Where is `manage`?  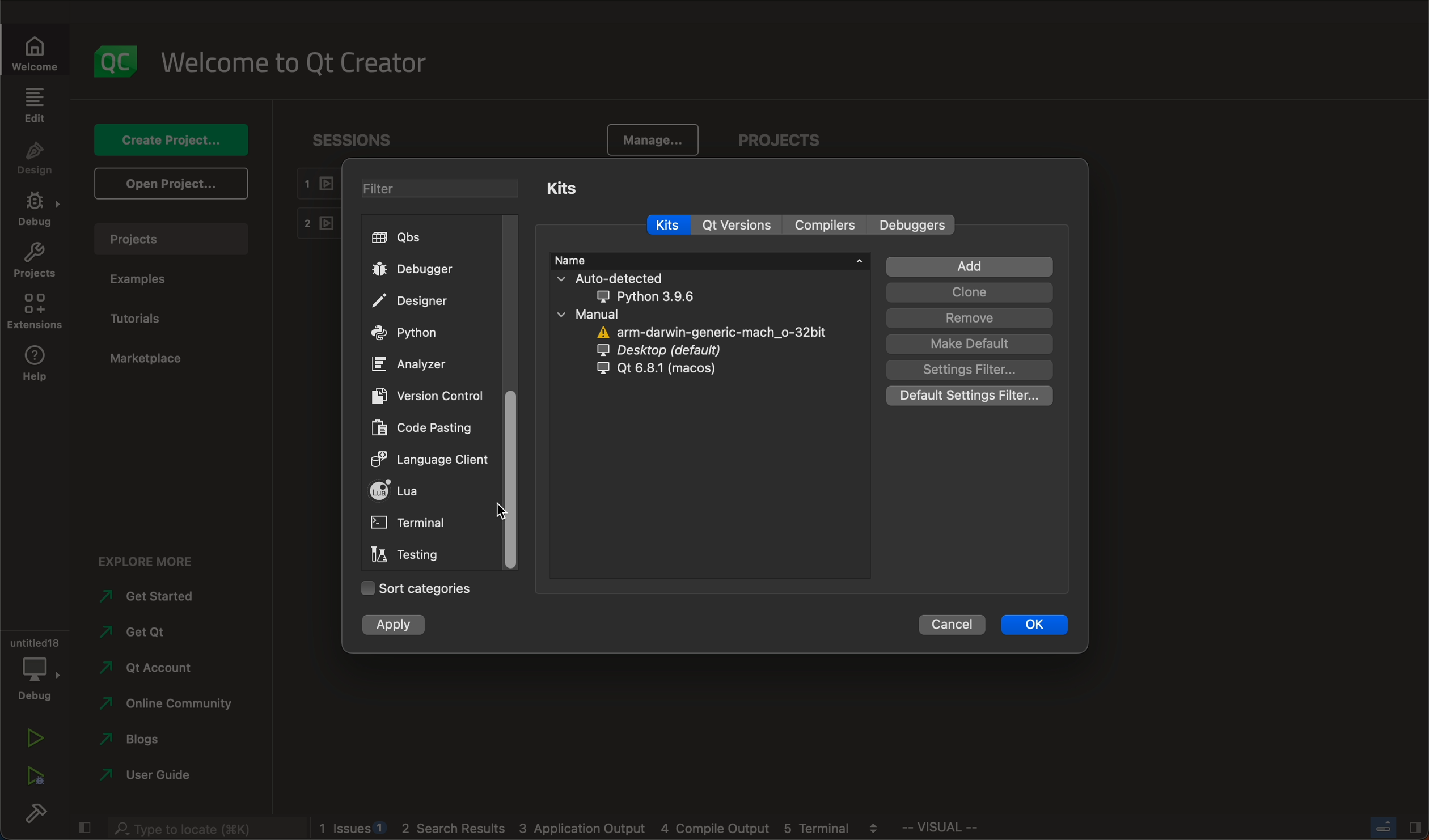
manage is located at coordinates (653, 137).